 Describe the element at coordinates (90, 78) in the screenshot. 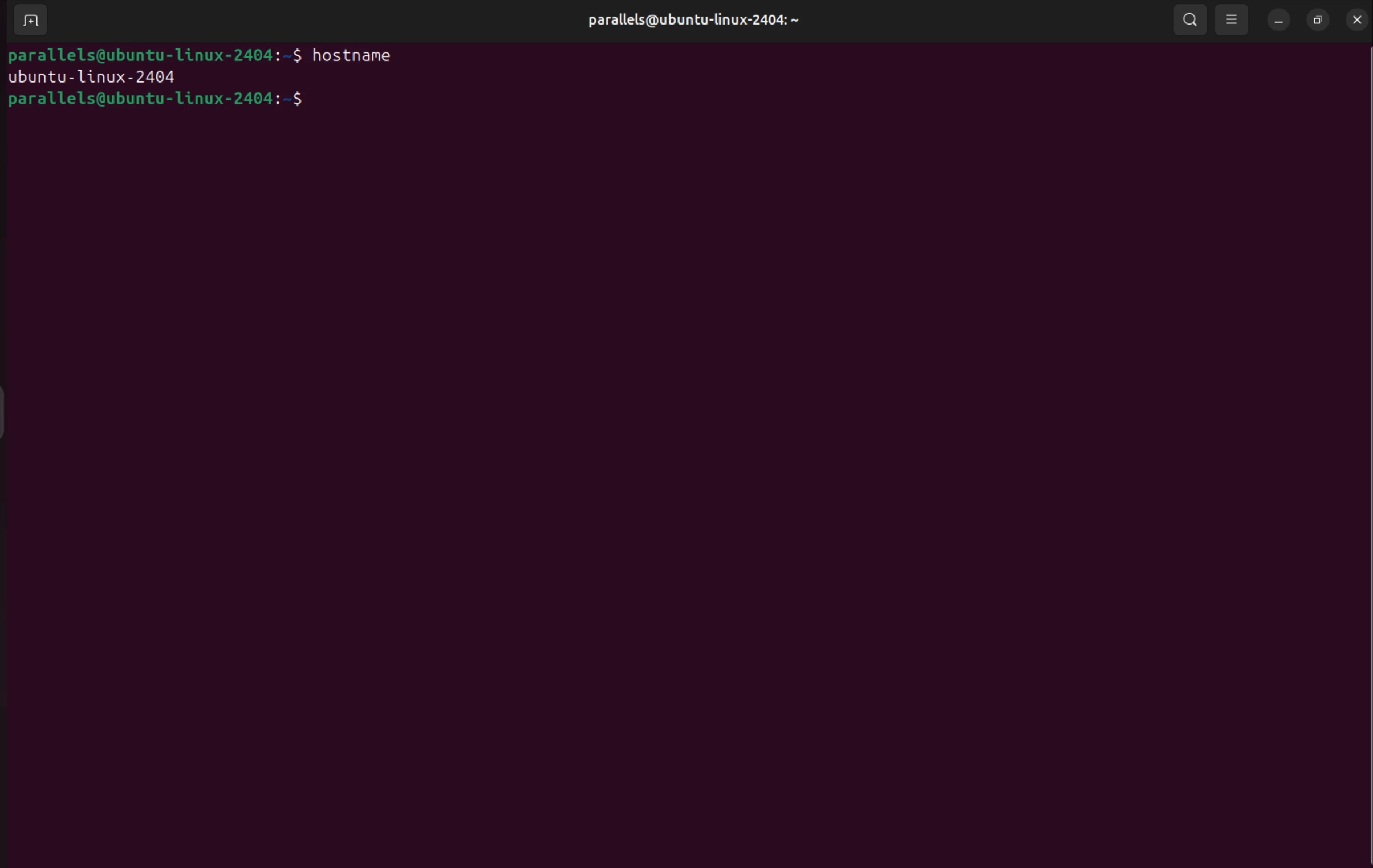

I see `ubuntu linux 2024` at that location.